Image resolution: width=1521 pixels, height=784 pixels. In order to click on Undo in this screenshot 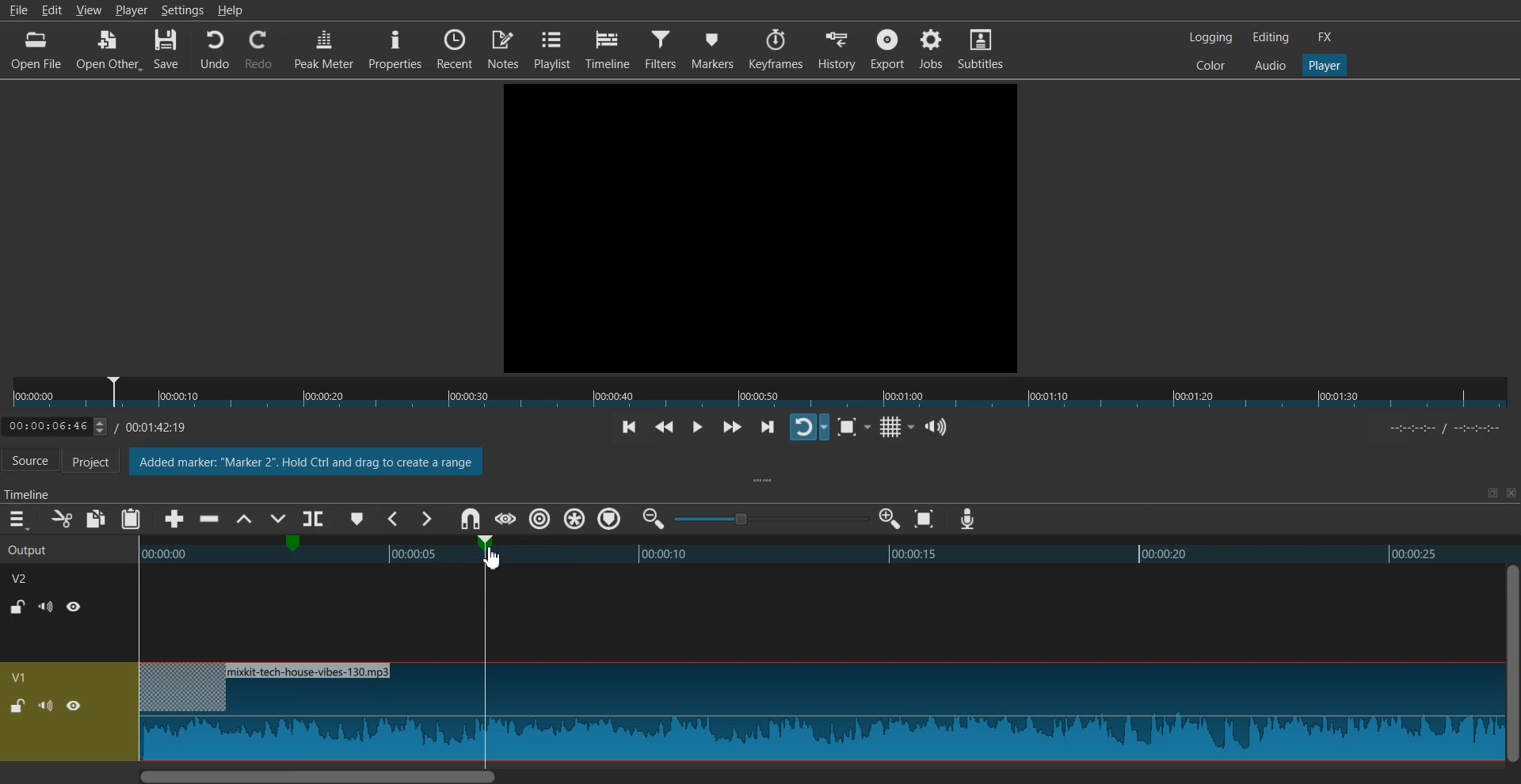, I will do `click(215, 50)`.